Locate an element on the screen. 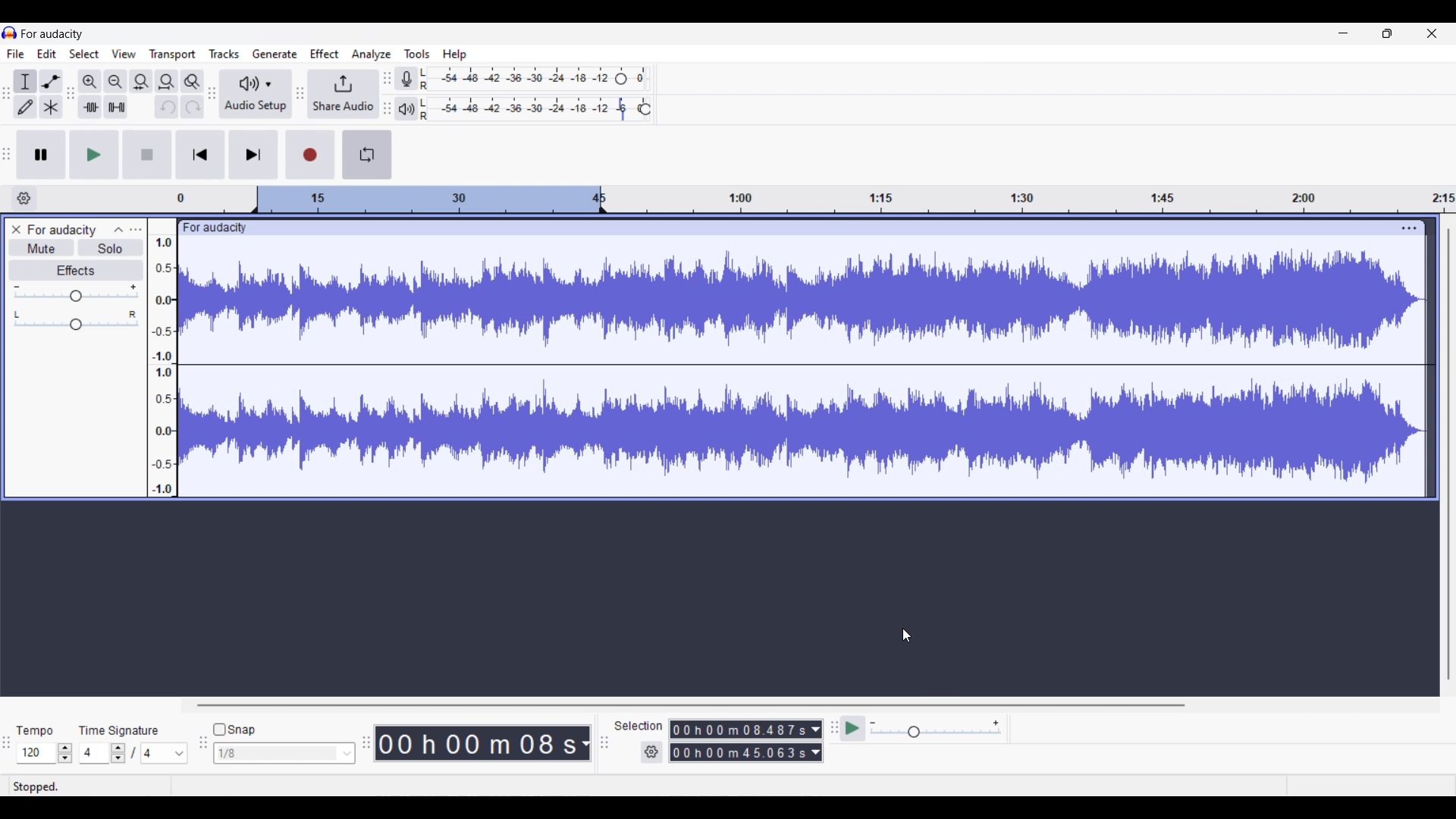  Current track is located at coordinates (789, 359).